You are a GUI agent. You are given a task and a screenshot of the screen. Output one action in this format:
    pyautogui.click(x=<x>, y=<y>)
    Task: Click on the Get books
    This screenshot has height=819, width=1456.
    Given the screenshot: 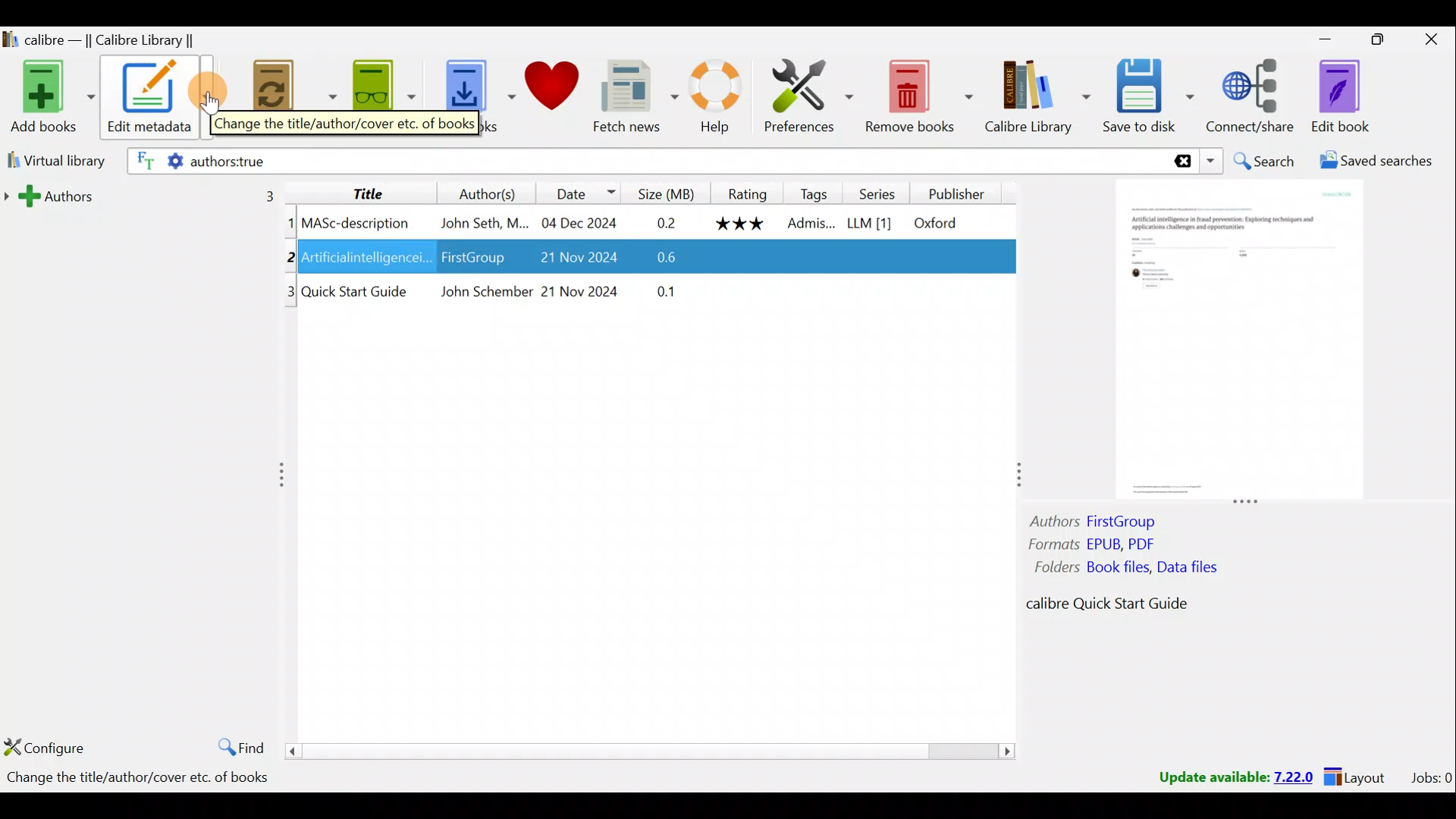 What is the action you would take?
    pyautogui.click(x=461, y=83)
    